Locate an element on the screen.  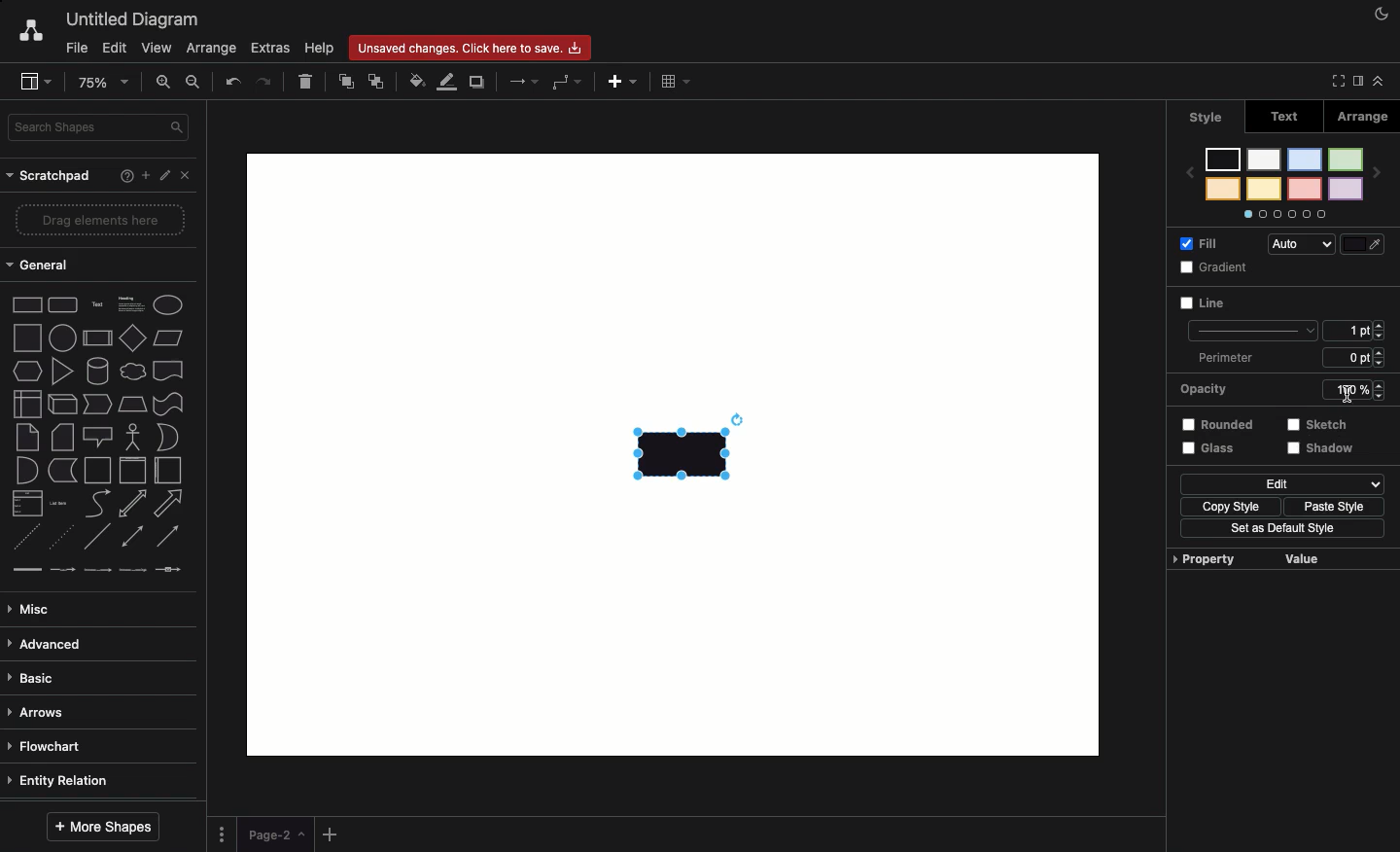
Rectangle  is located at coordinates (27, 306).